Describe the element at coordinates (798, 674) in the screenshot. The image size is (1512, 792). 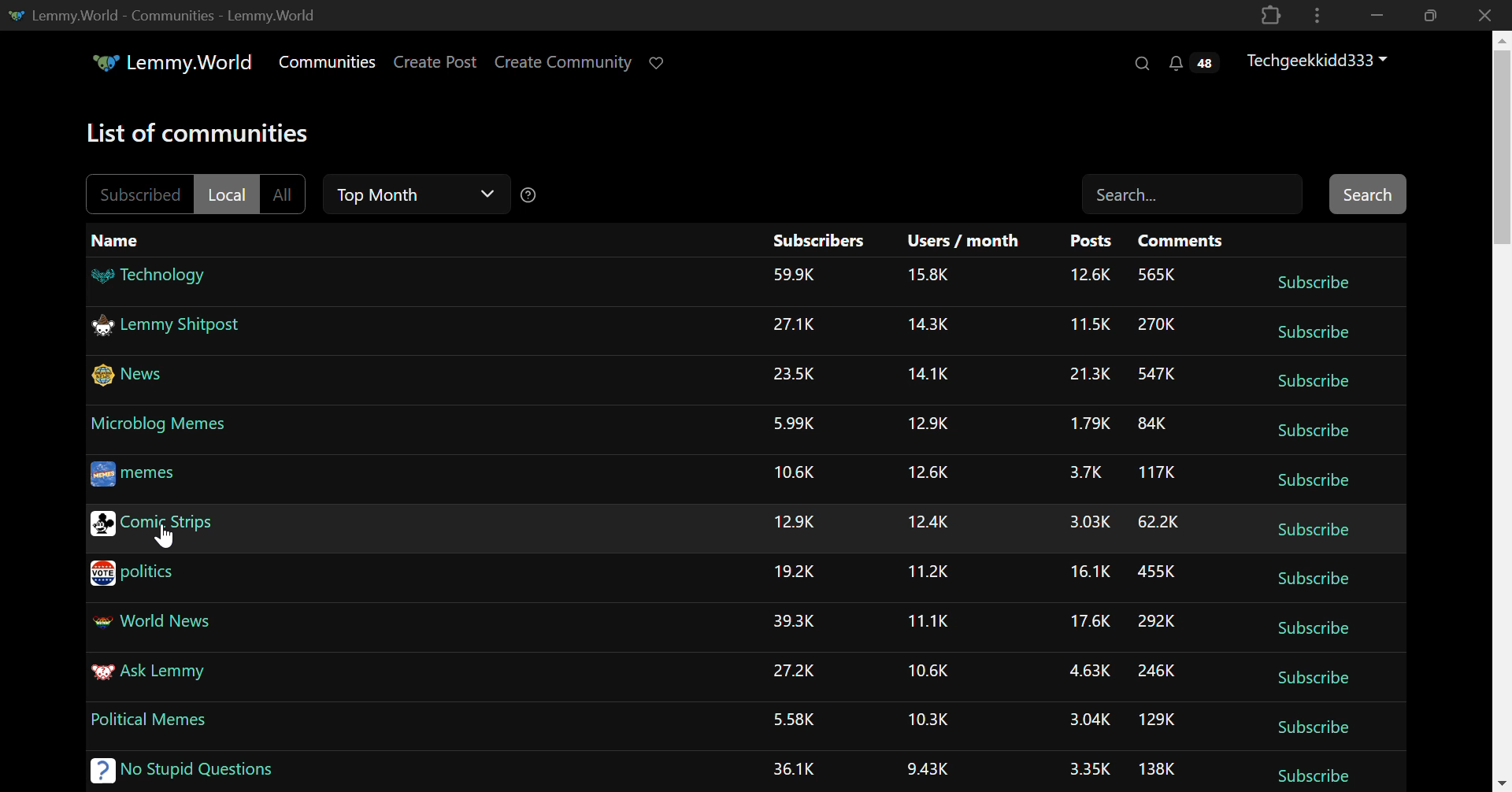
I see `27.2K` at that location.